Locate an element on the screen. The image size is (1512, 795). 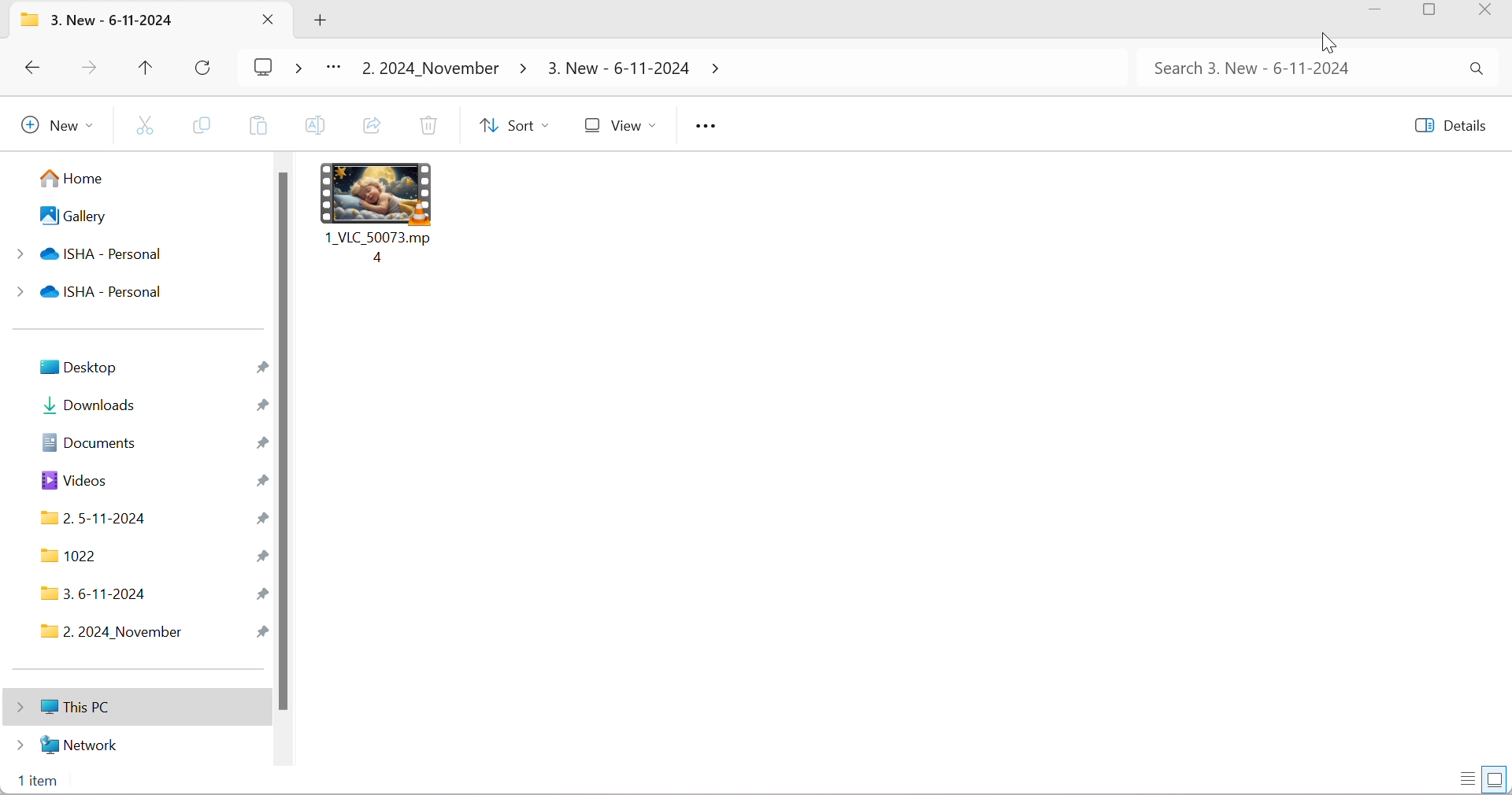
ISHA - Personal is located at coordinates (88, 291).